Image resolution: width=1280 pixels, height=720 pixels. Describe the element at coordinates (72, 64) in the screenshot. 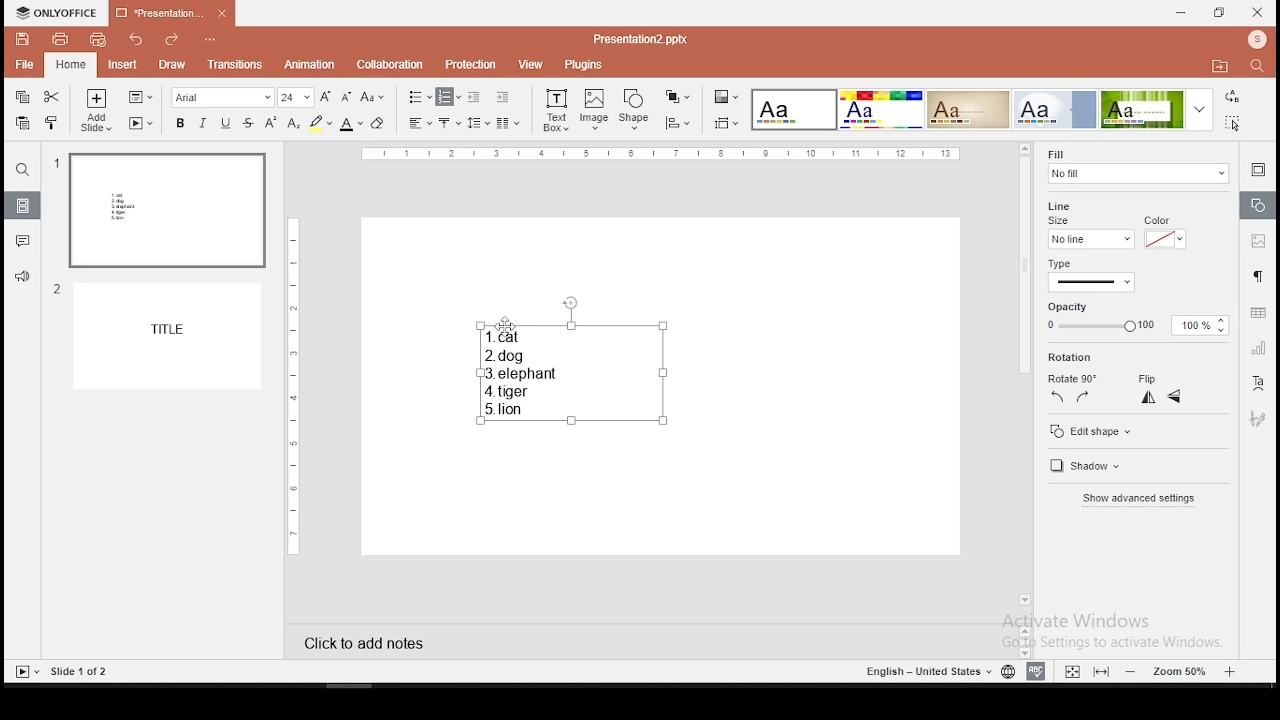

I see `home` at that location.